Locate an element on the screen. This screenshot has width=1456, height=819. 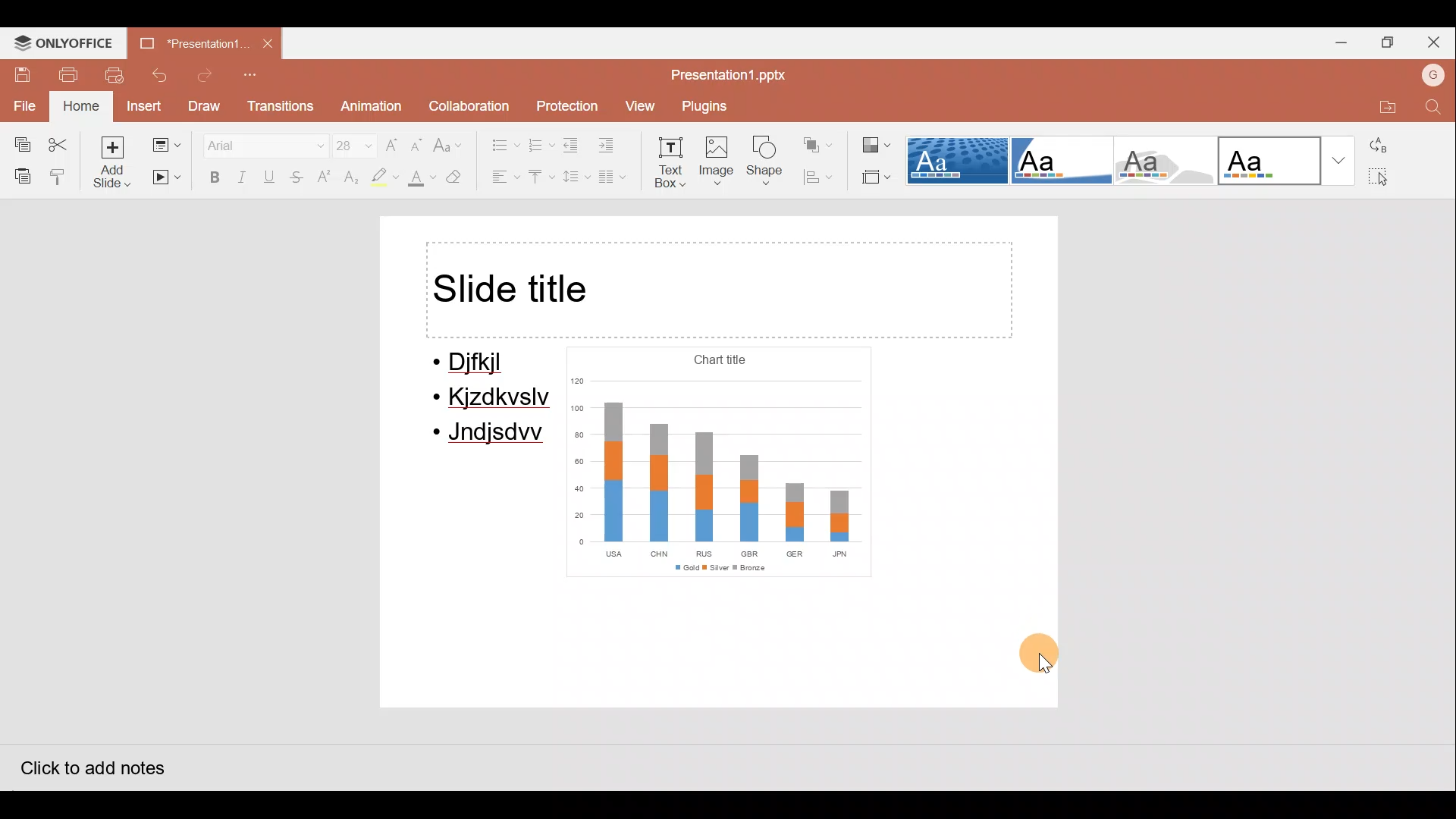
Paste is located at coordinates (20, 173).